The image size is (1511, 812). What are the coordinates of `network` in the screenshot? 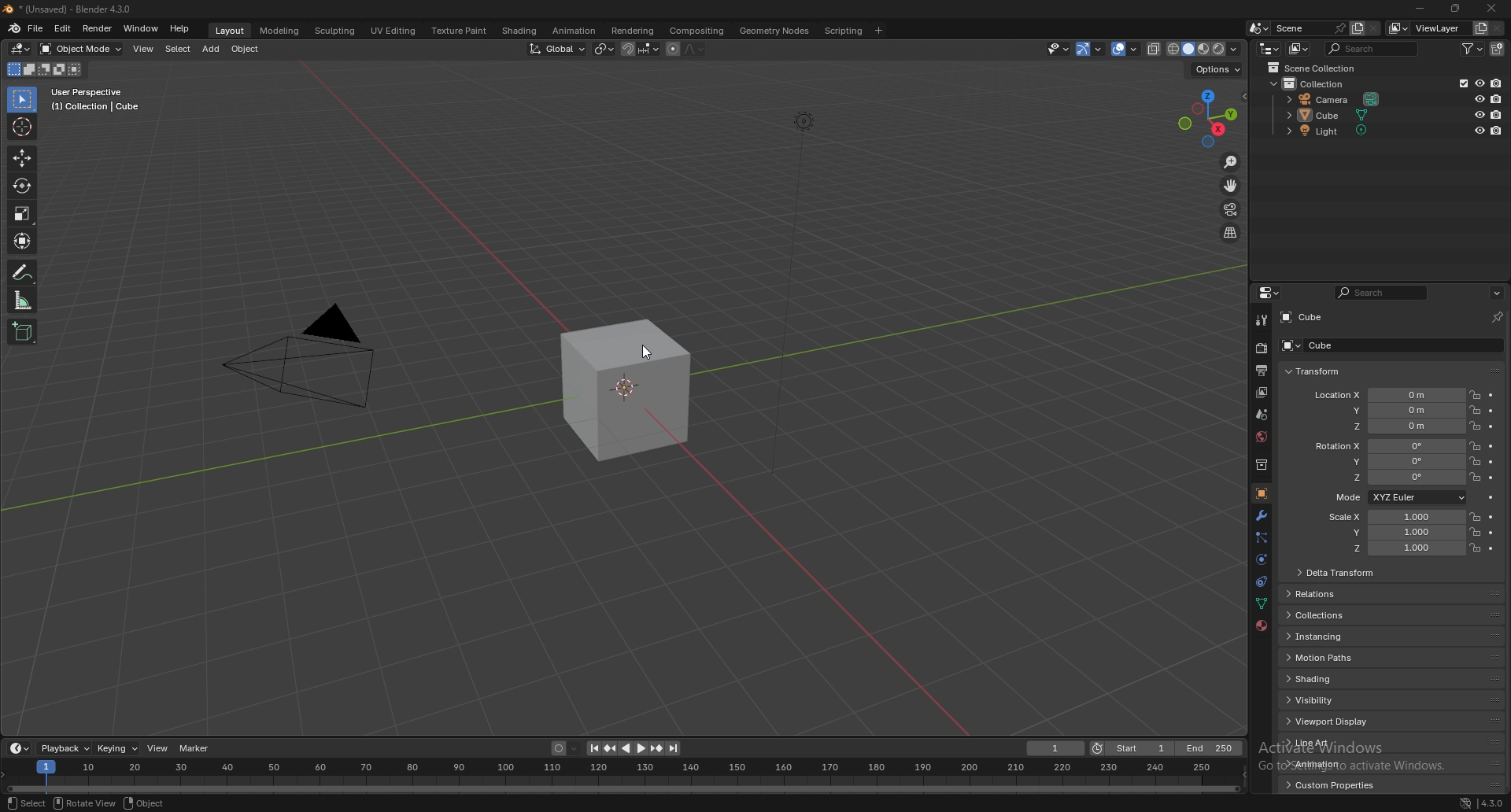 It's located at (1466, 803).